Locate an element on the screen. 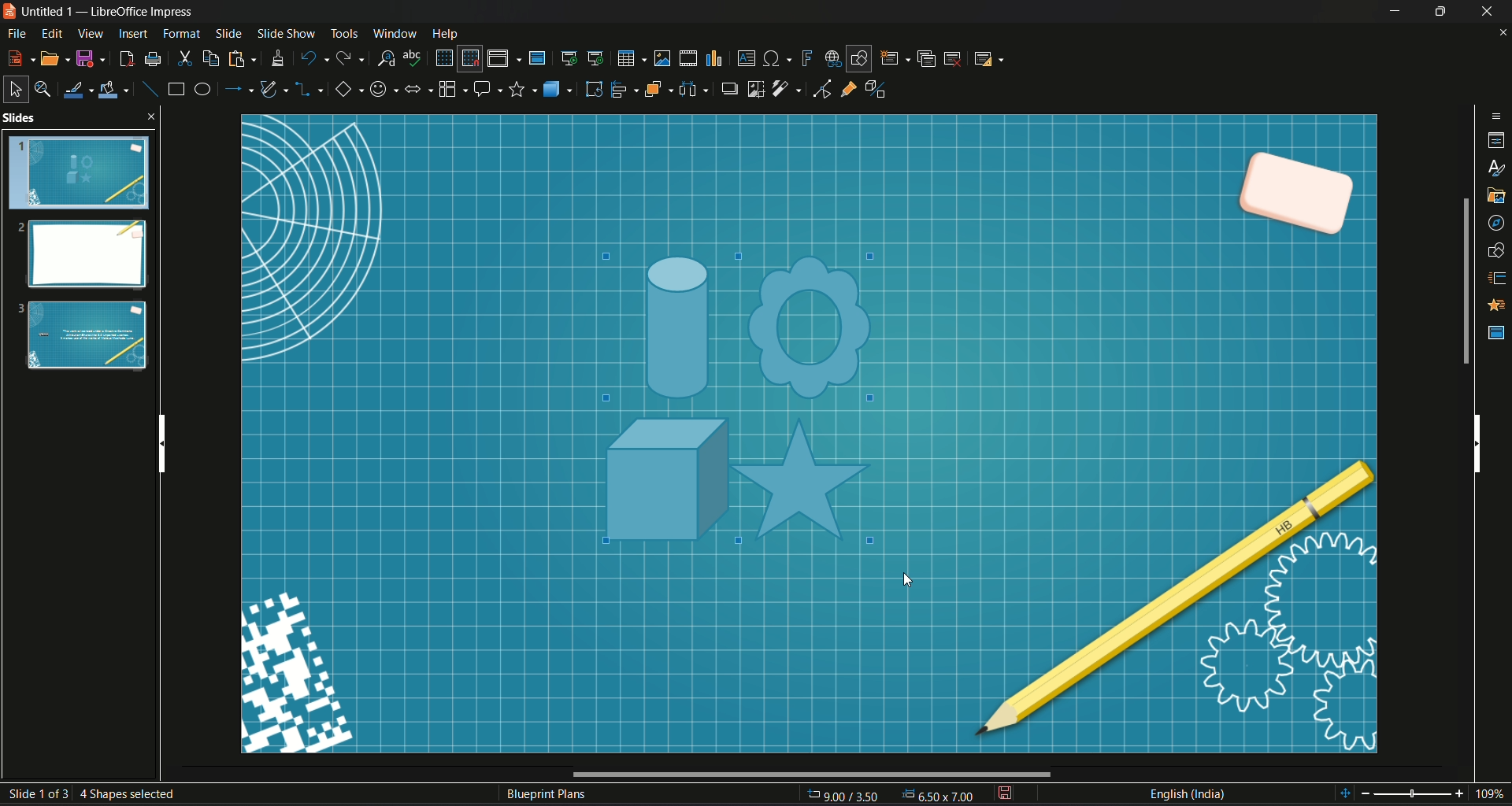 The height and width of the screenshot is (806, 1512). start from first slide is located at coordinates (568, 57).